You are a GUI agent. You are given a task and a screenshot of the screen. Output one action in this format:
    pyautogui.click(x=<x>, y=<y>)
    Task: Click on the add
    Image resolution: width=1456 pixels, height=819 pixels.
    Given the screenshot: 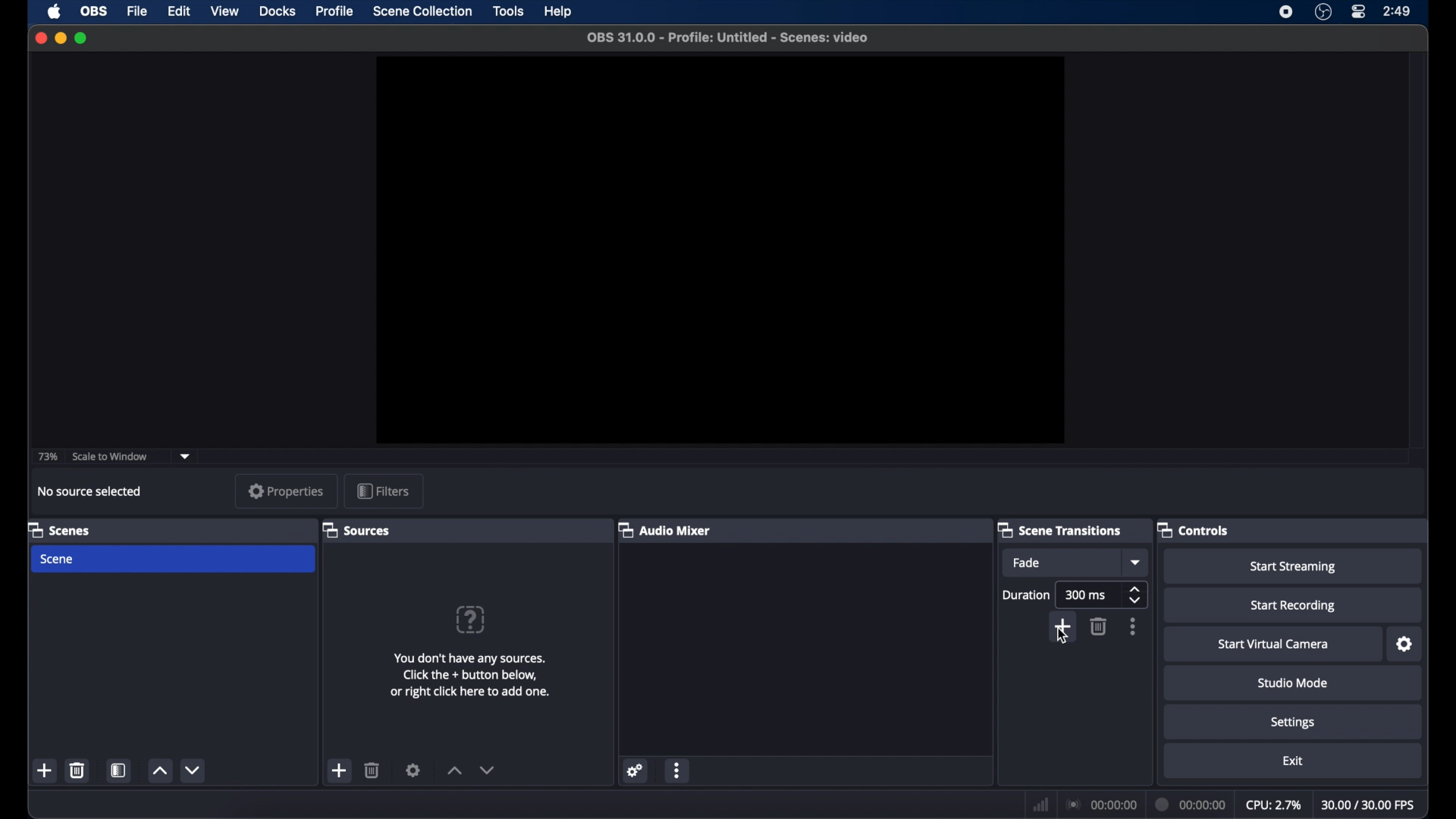 What is the action you would take?
    pyautogui.click(x=340, y=770)
    